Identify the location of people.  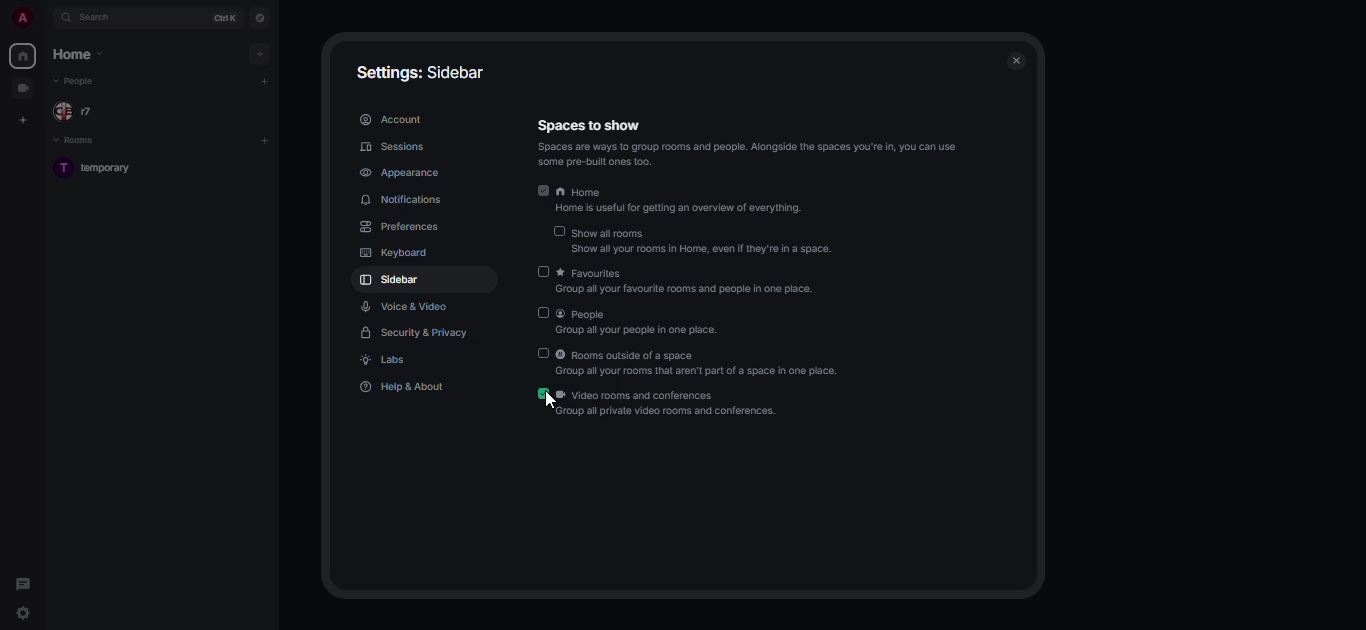
(79, 112).